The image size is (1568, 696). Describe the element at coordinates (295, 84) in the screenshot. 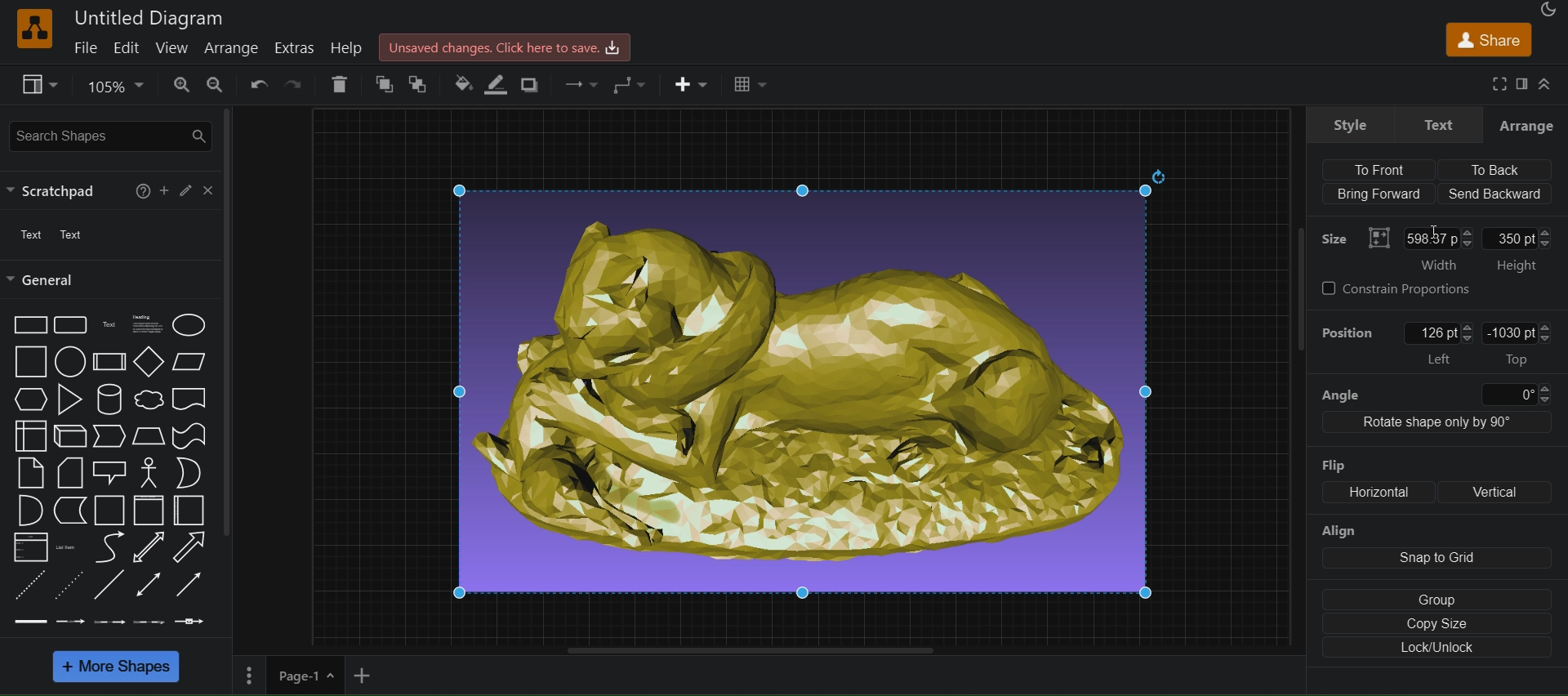

I see `redo` at that location.